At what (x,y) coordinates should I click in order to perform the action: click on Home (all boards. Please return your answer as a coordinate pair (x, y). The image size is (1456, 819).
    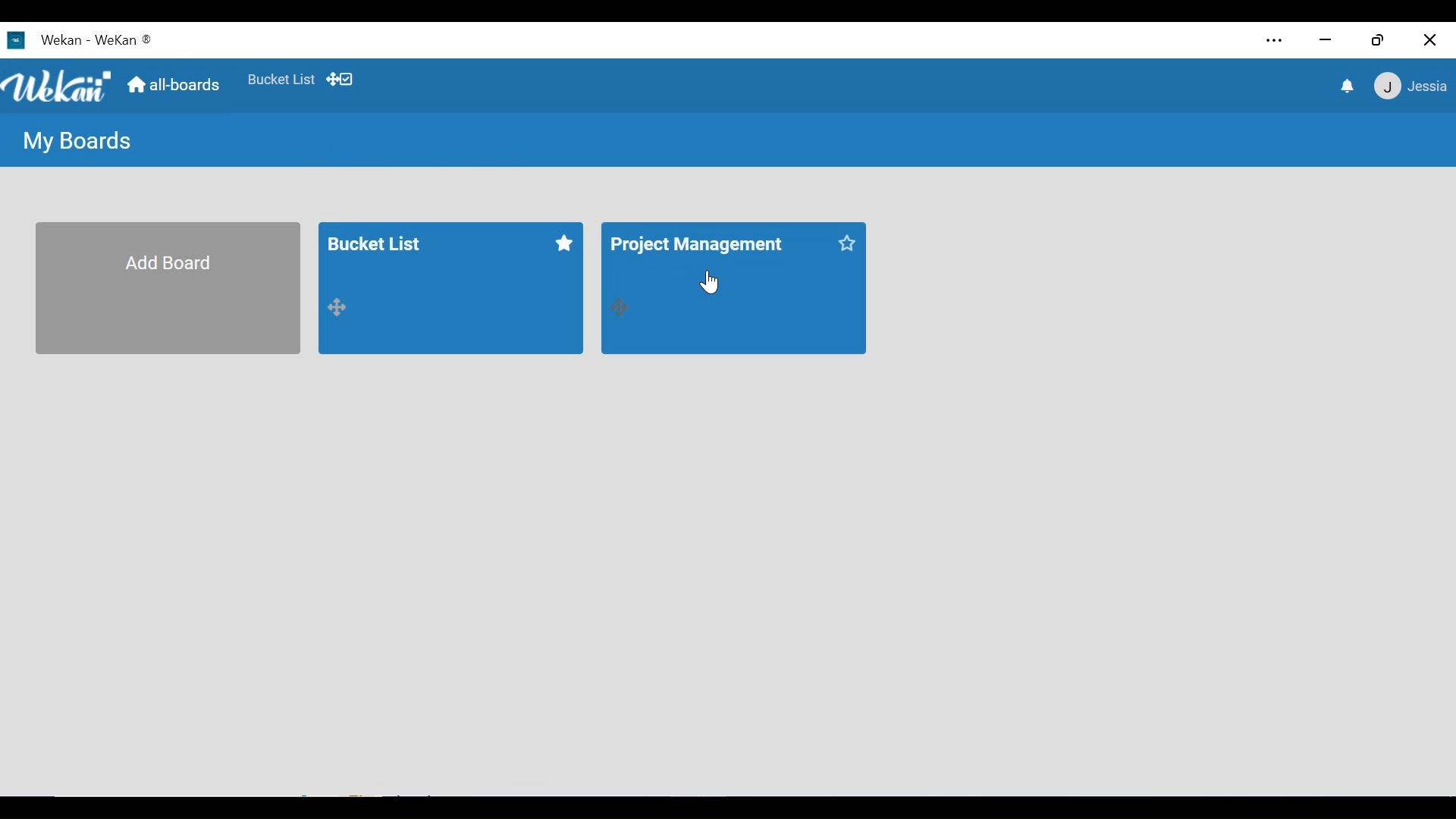
    Looking at the image, I should click on (175, 83).